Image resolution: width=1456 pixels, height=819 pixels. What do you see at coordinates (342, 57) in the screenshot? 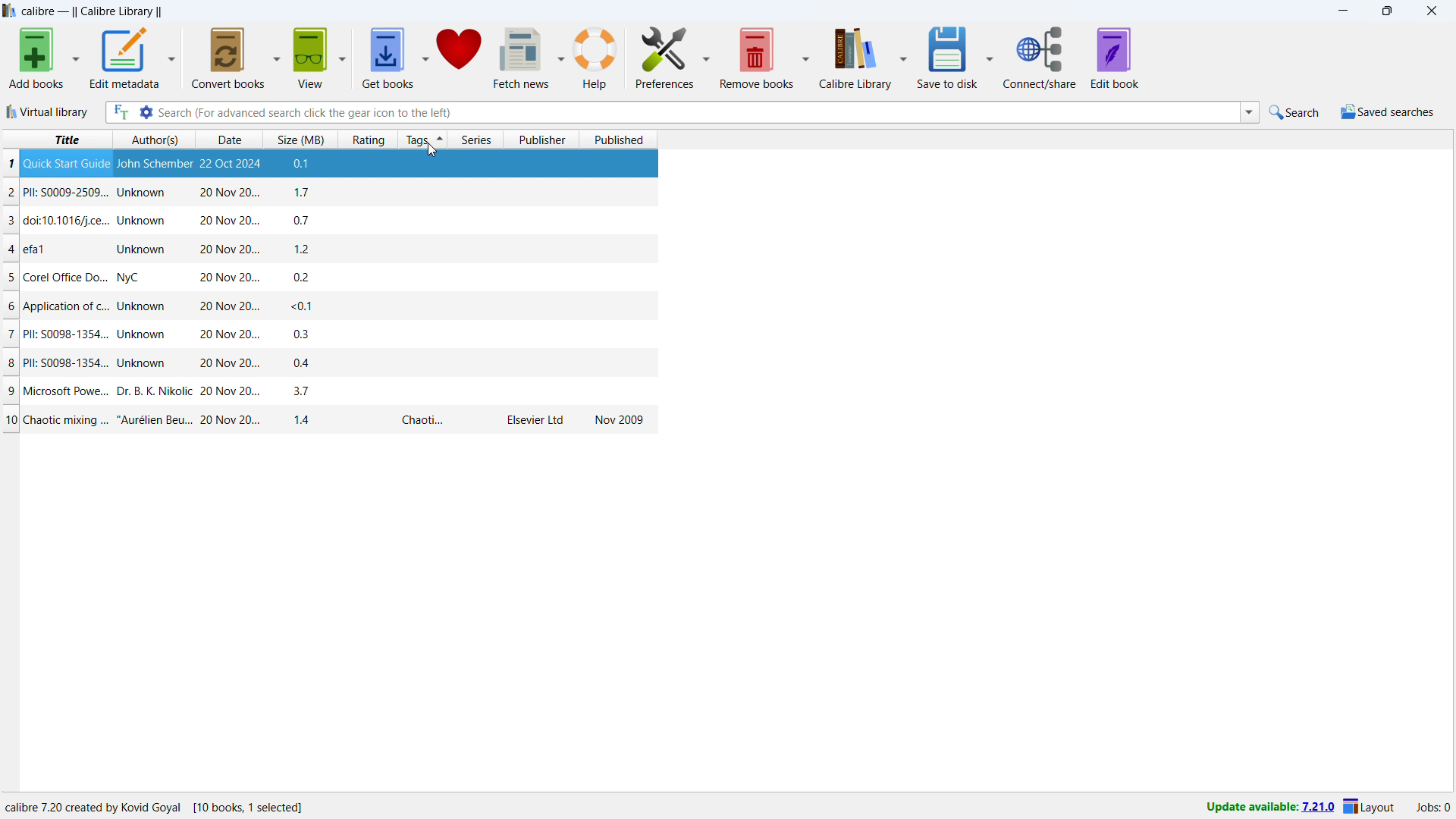
I see `view options` at bounding box center [342, 57].